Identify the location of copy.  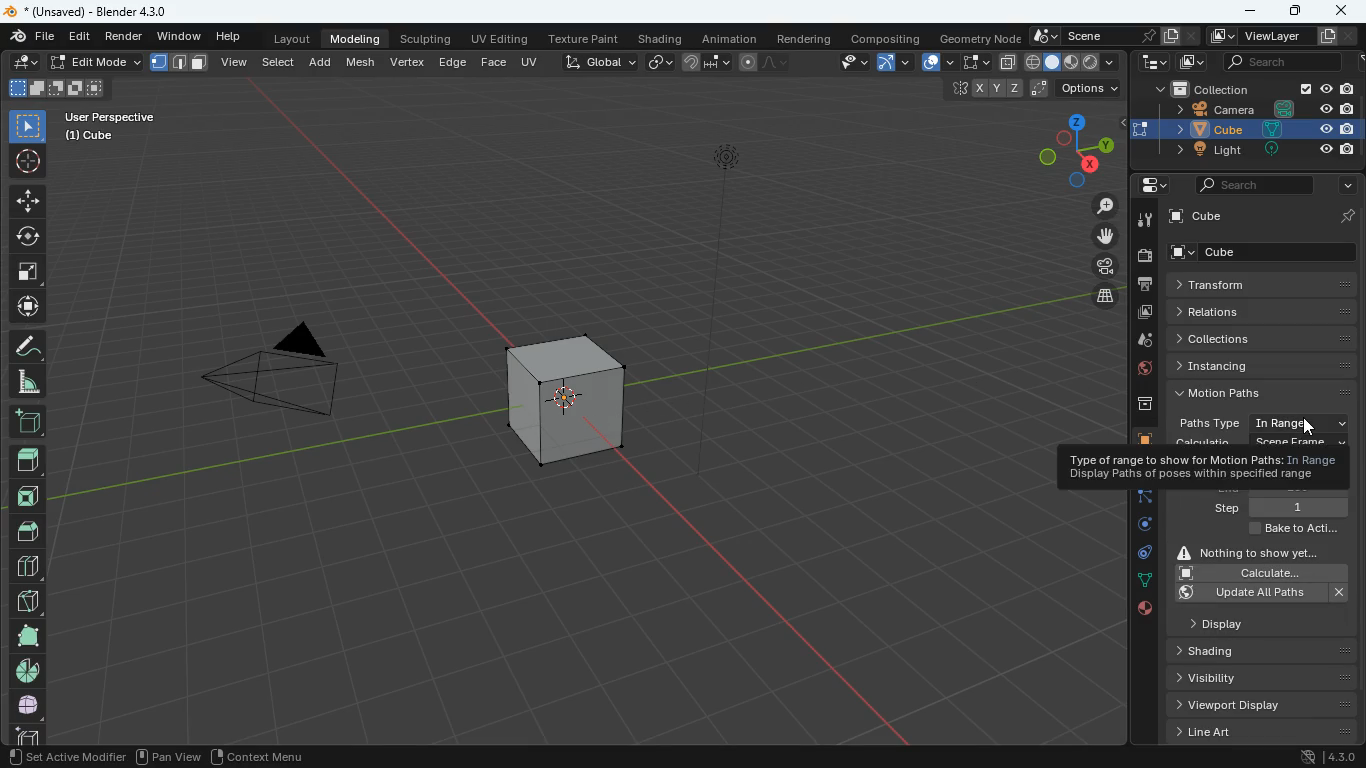
(660, 60).